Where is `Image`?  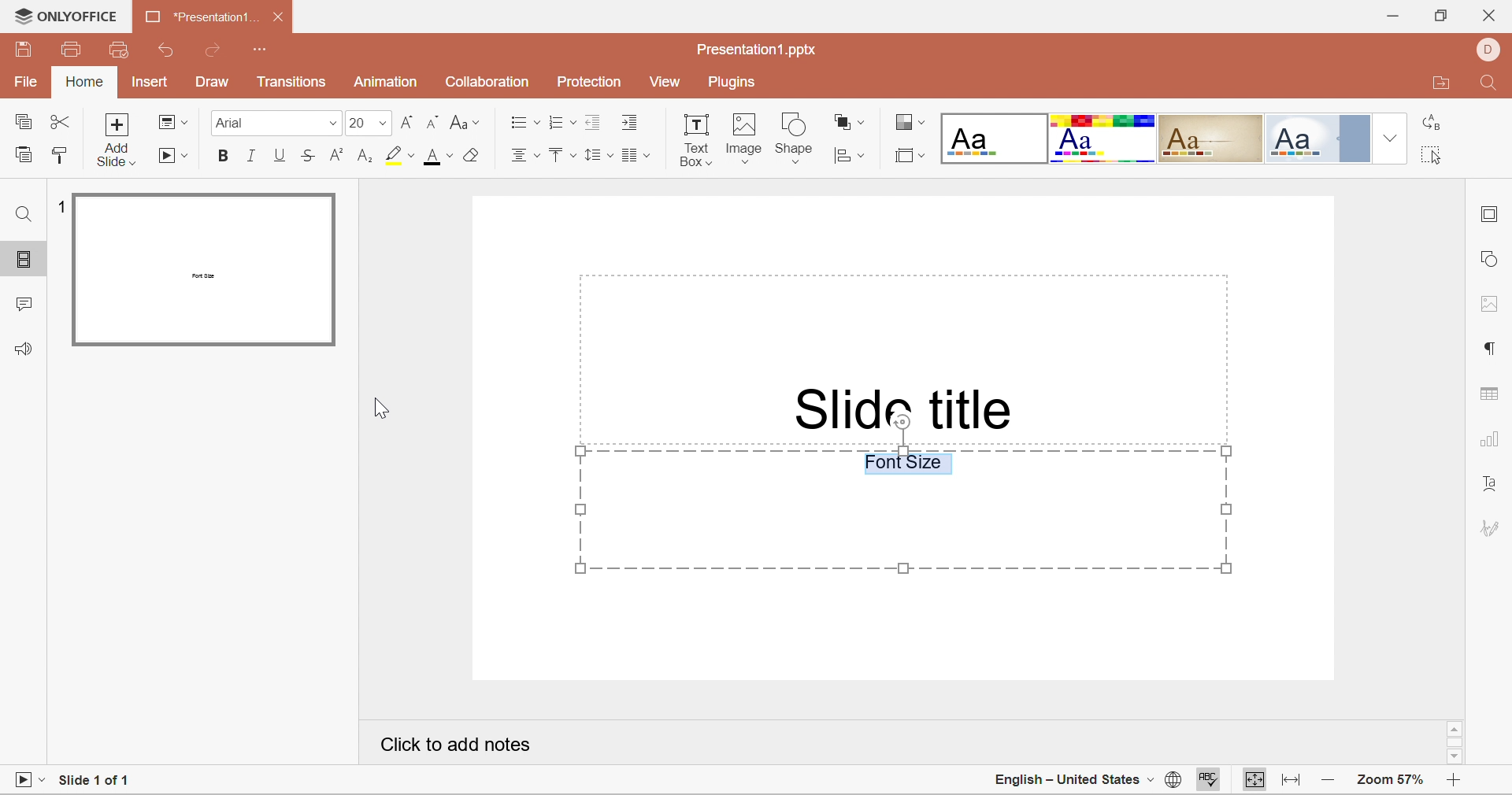 Image is located at coordinates (746, 138).